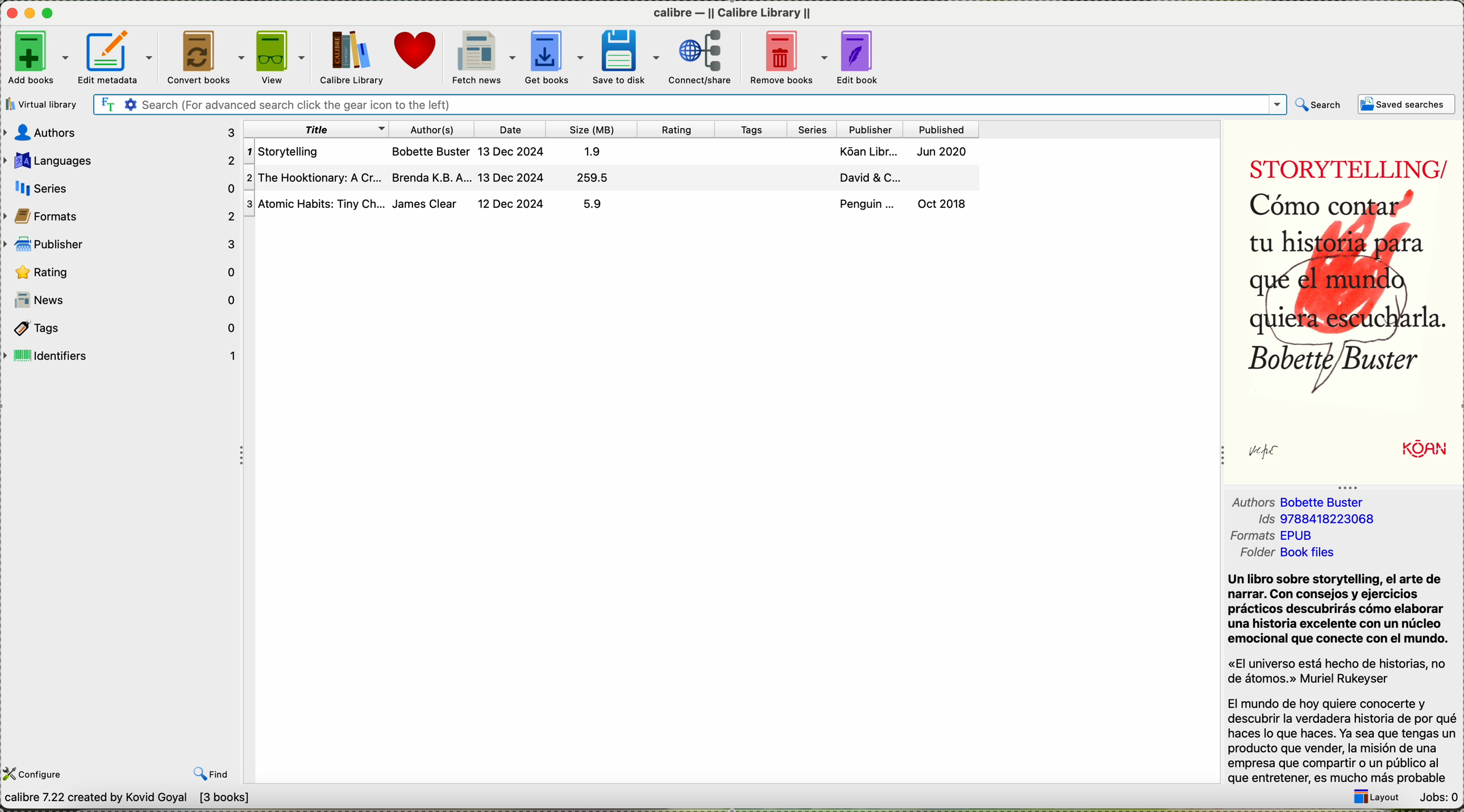  What do you see at coordinates (125, 327) in the screenshot?
I see `tags` at bounding box center [125, 327].